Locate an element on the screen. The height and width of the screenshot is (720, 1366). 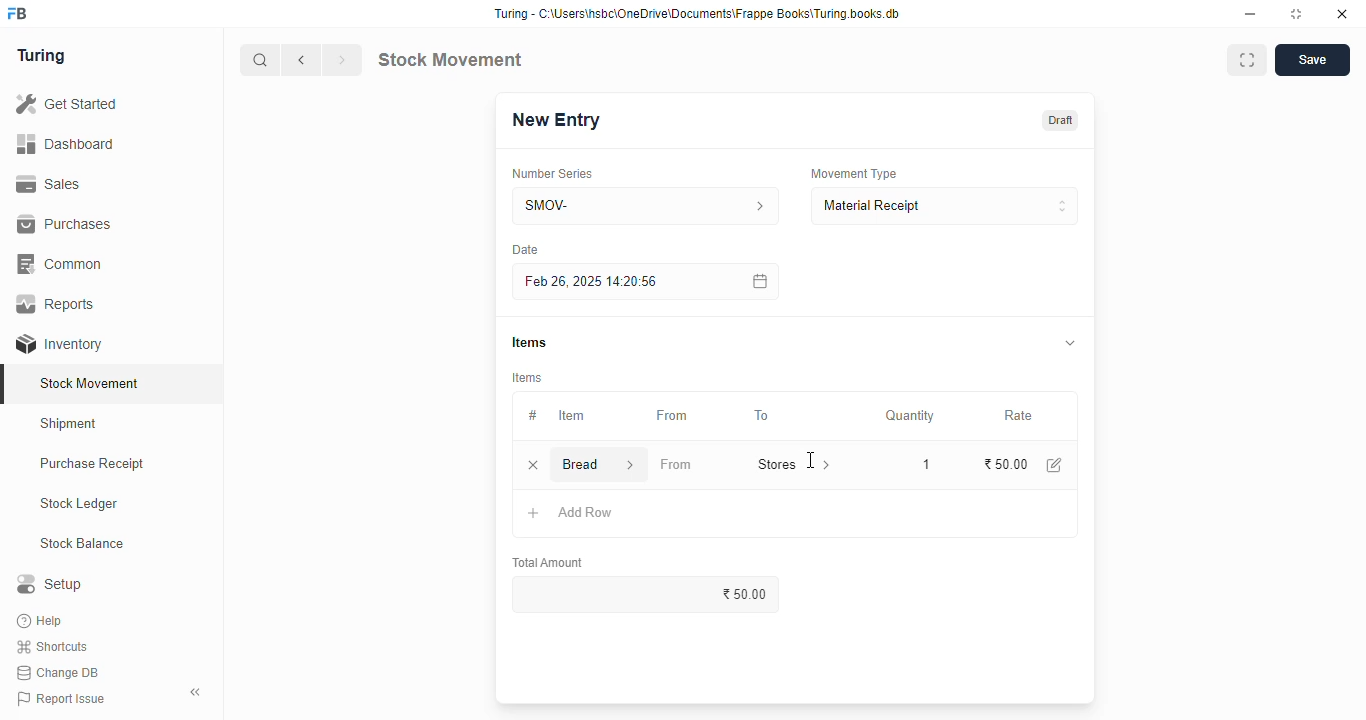
reports is located at coordinates (57, 303).